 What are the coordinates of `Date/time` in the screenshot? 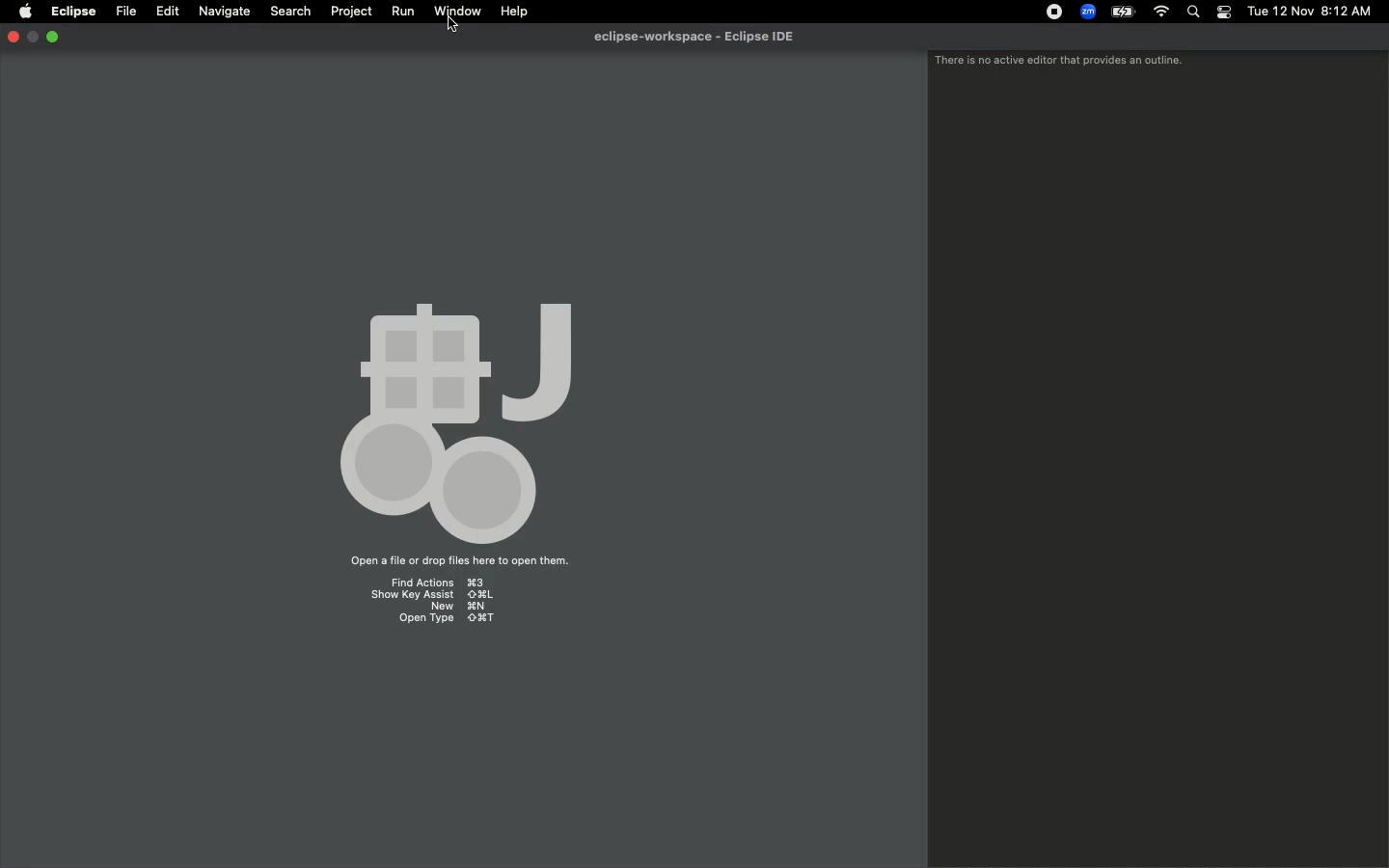 It's located at (1309, 11).